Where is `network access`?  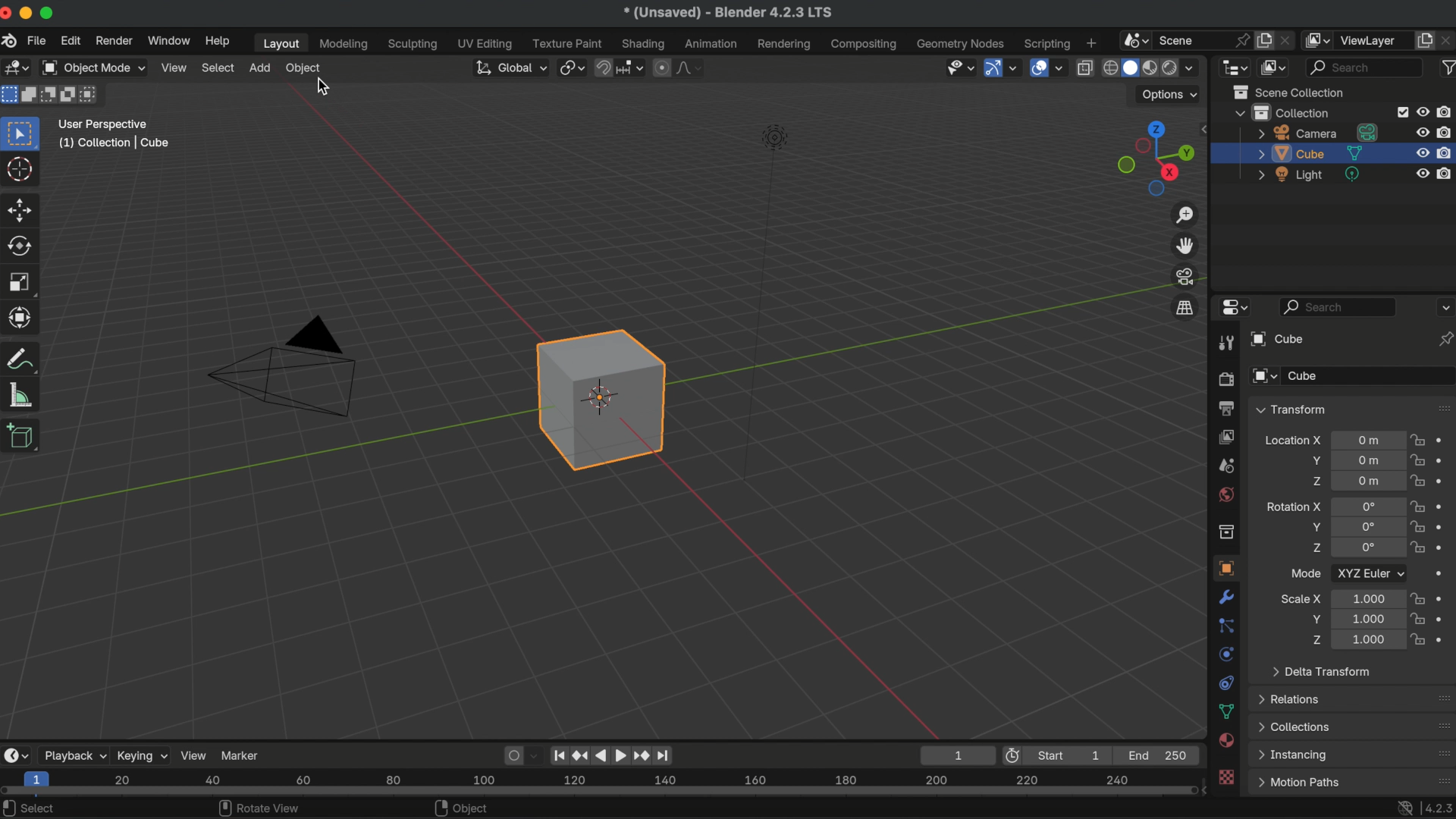 network access is located at coordinates (1403, 807).